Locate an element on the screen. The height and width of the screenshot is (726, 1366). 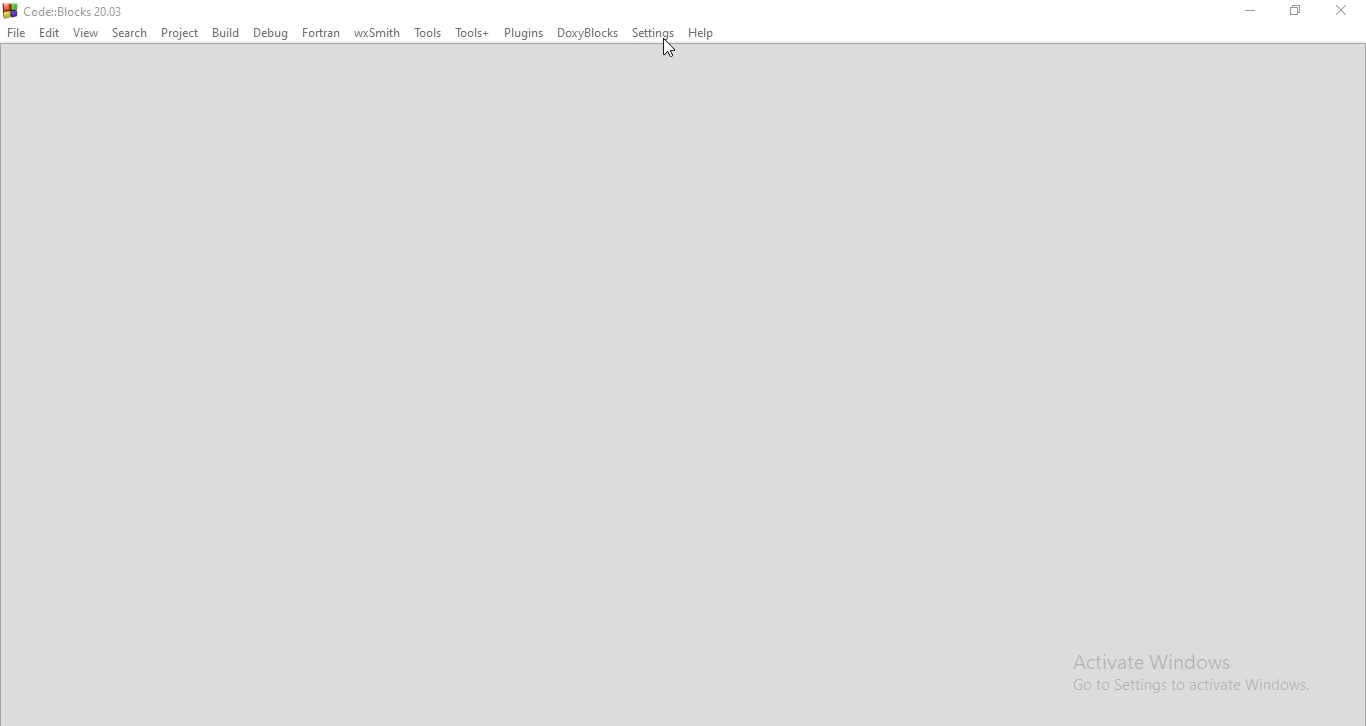
Activate Windows Go to settings to Activate Windows is located at coordinates (1198, 677).